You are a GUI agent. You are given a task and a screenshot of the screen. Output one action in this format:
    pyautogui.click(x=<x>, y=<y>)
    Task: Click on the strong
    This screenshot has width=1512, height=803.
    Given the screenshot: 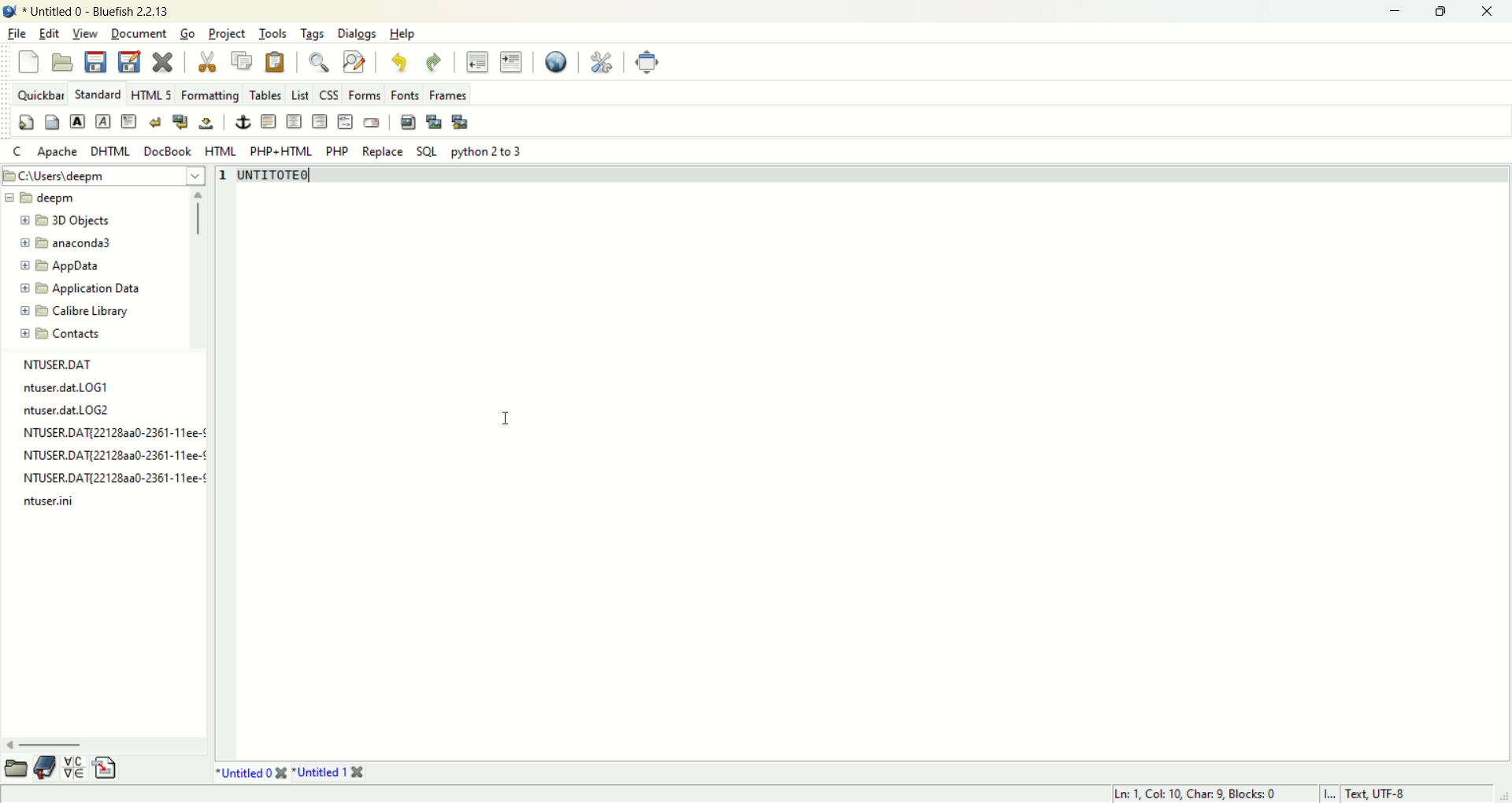 What is the action you would take?
    pyautogui.click(x=75, y=121)
    